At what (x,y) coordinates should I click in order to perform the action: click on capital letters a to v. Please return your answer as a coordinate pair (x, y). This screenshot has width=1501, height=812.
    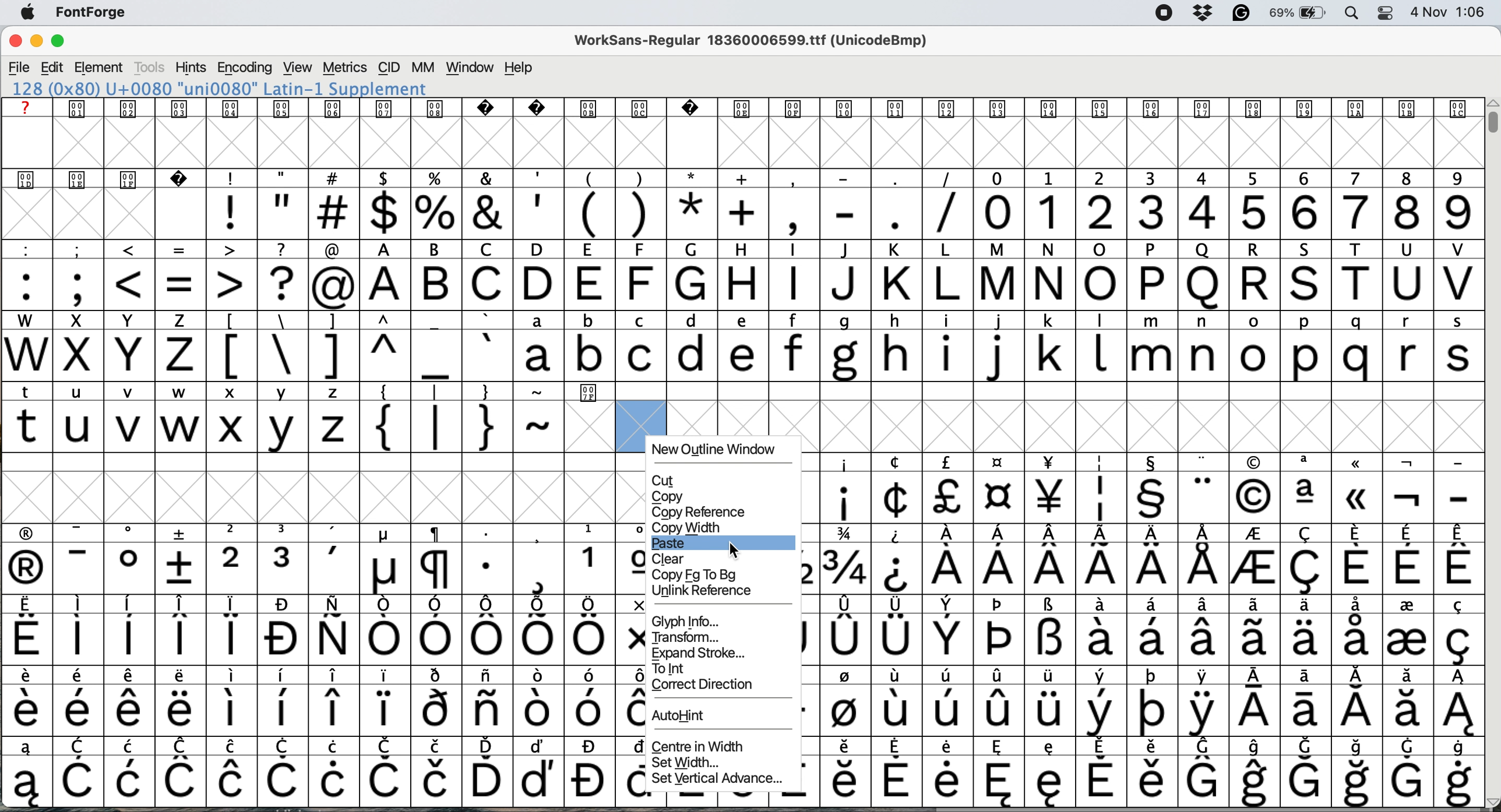
    Looking at the image, I should click on (918, 286).